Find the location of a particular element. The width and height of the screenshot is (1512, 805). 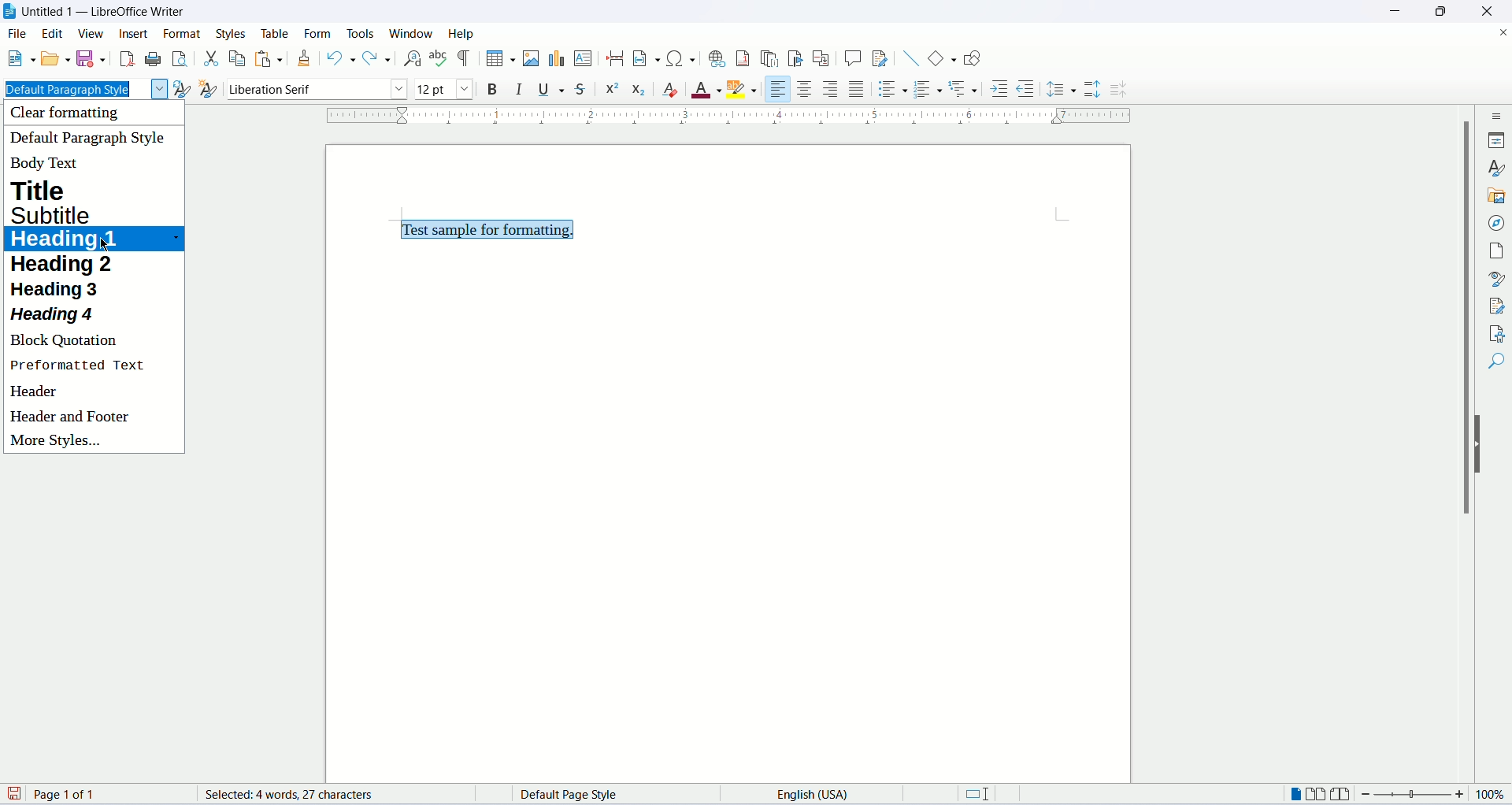

navigator is located at coordinates (1495, 224).